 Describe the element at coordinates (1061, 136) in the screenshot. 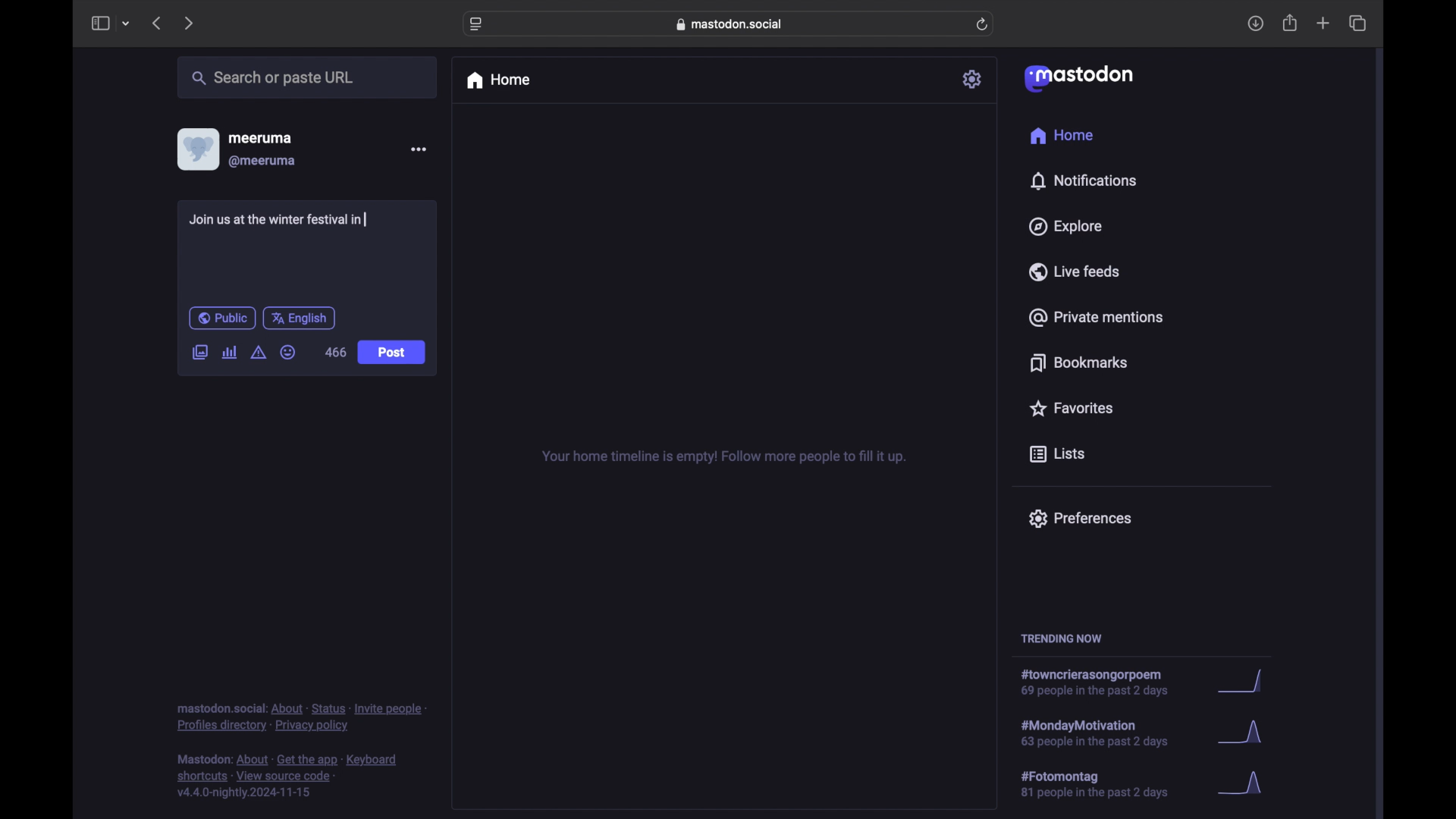

I see `home` at that location.